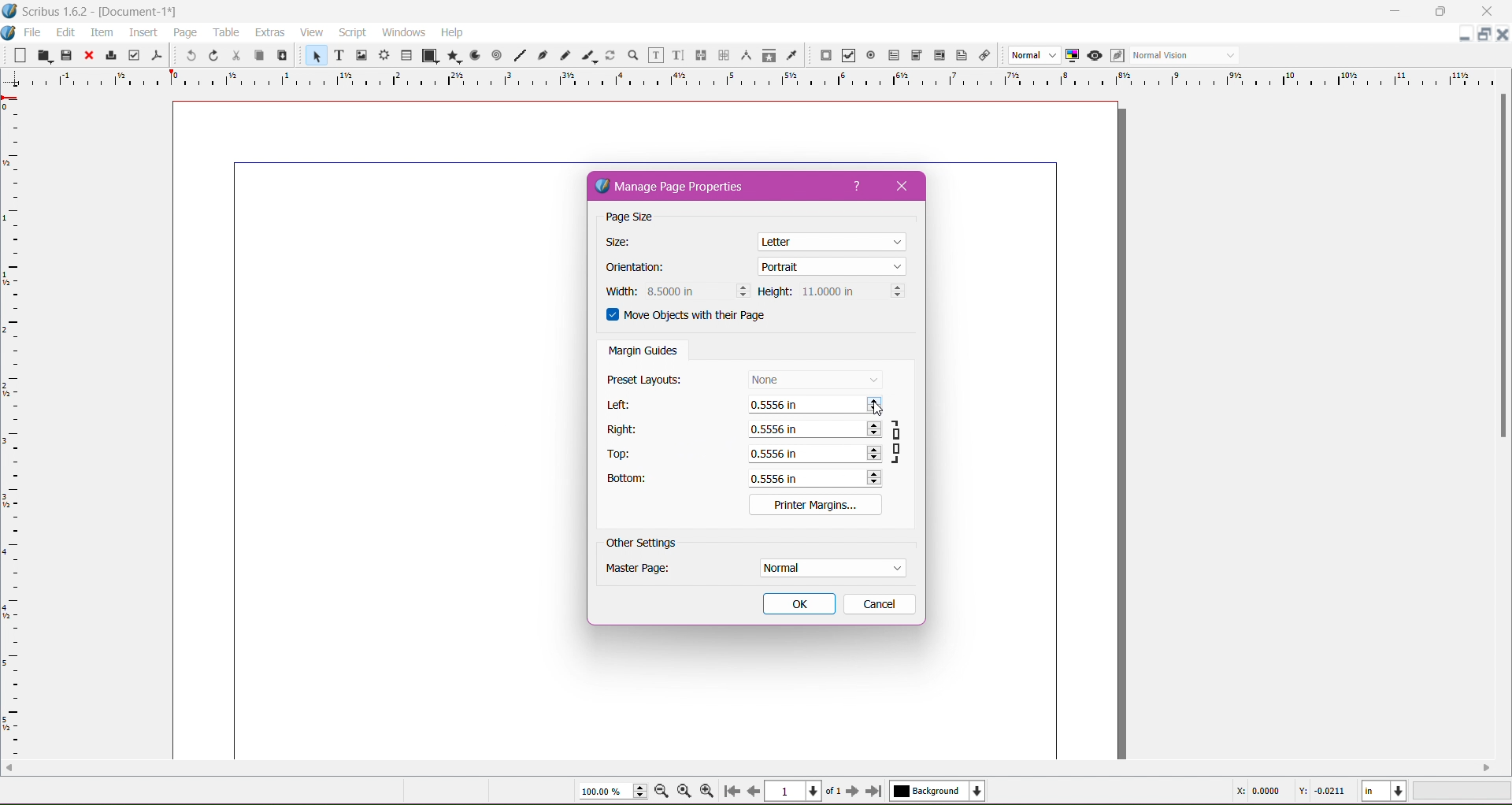  I want to click on PDF Combo Box, so click(917, 55).